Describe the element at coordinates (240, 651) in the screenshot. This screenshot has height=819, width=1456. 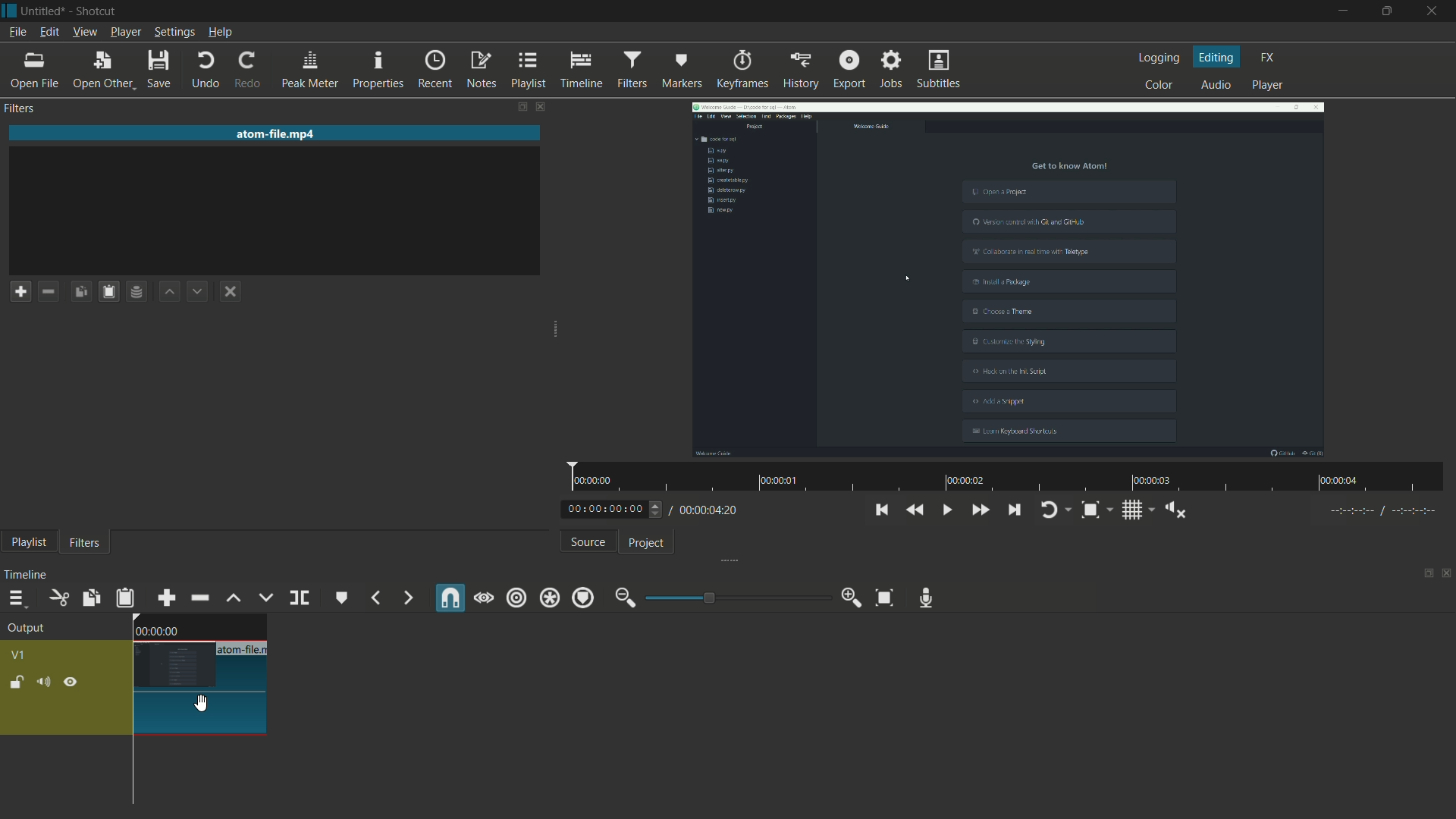
I see `file name` at that location.